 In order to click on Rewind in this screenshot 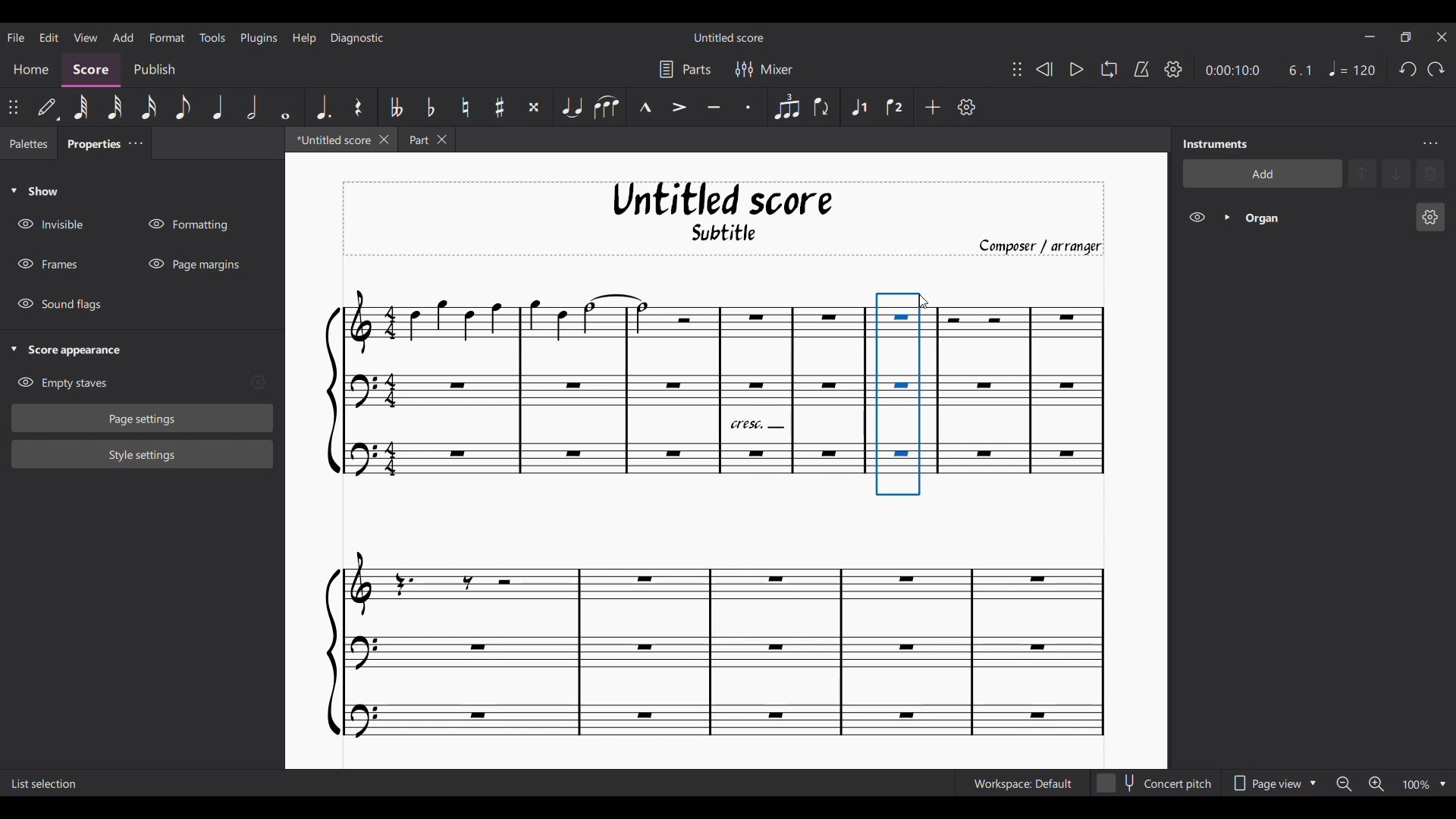, I will do `click(1044, 69)`.